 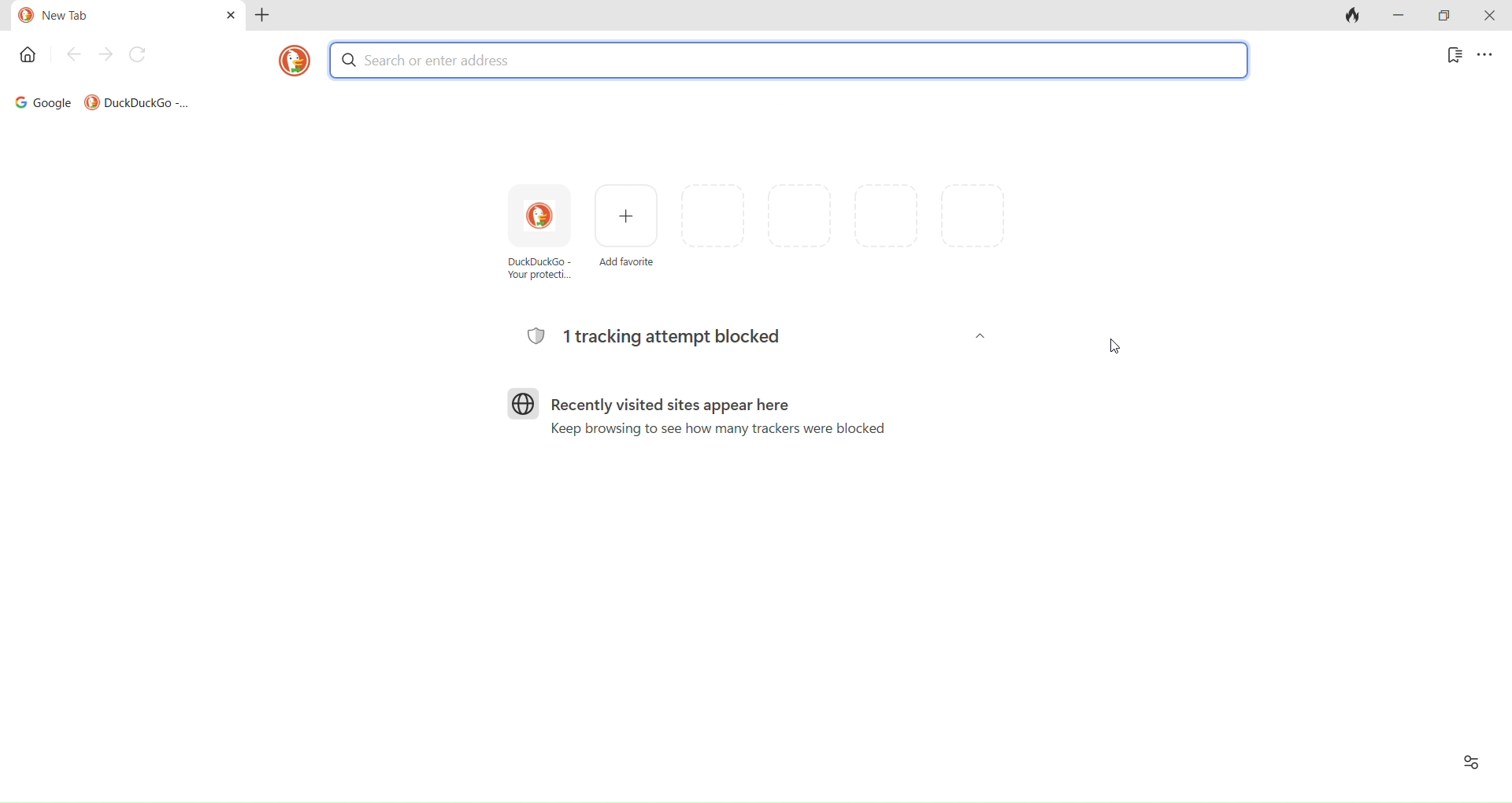 I want to click on recently visited sites appear here keep browsing to see how many trackers were blocked., so click(x=702, y=420).